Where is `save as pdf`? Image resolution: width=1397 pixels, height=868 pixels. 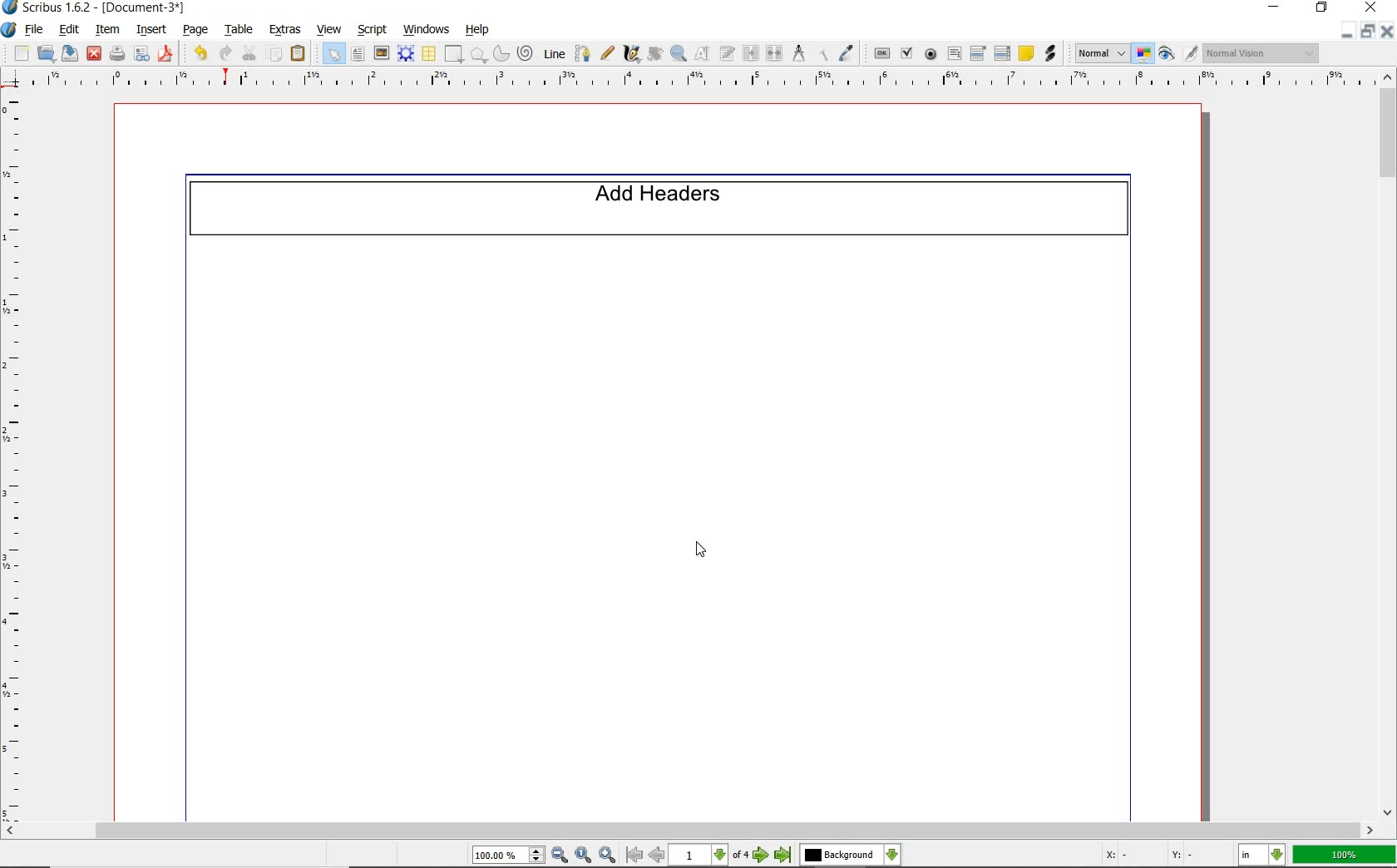
save as pdf is located at coordinates (165, 55).